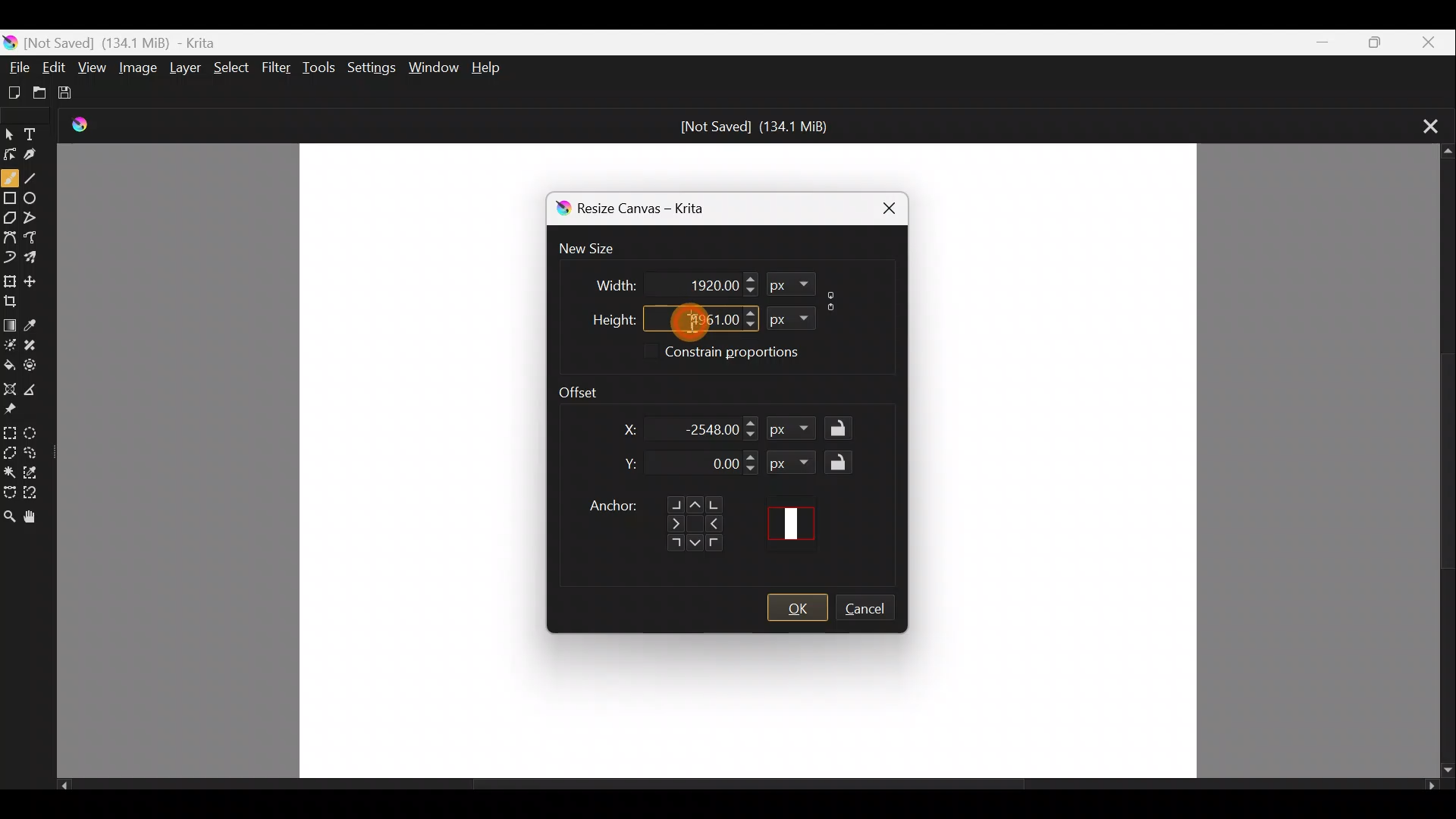 Image resolution: width=1456 pixels, height=819 pixels. Describe the element at coordinates (692, 283) in the screenshot. I see `1920.00` at that location.